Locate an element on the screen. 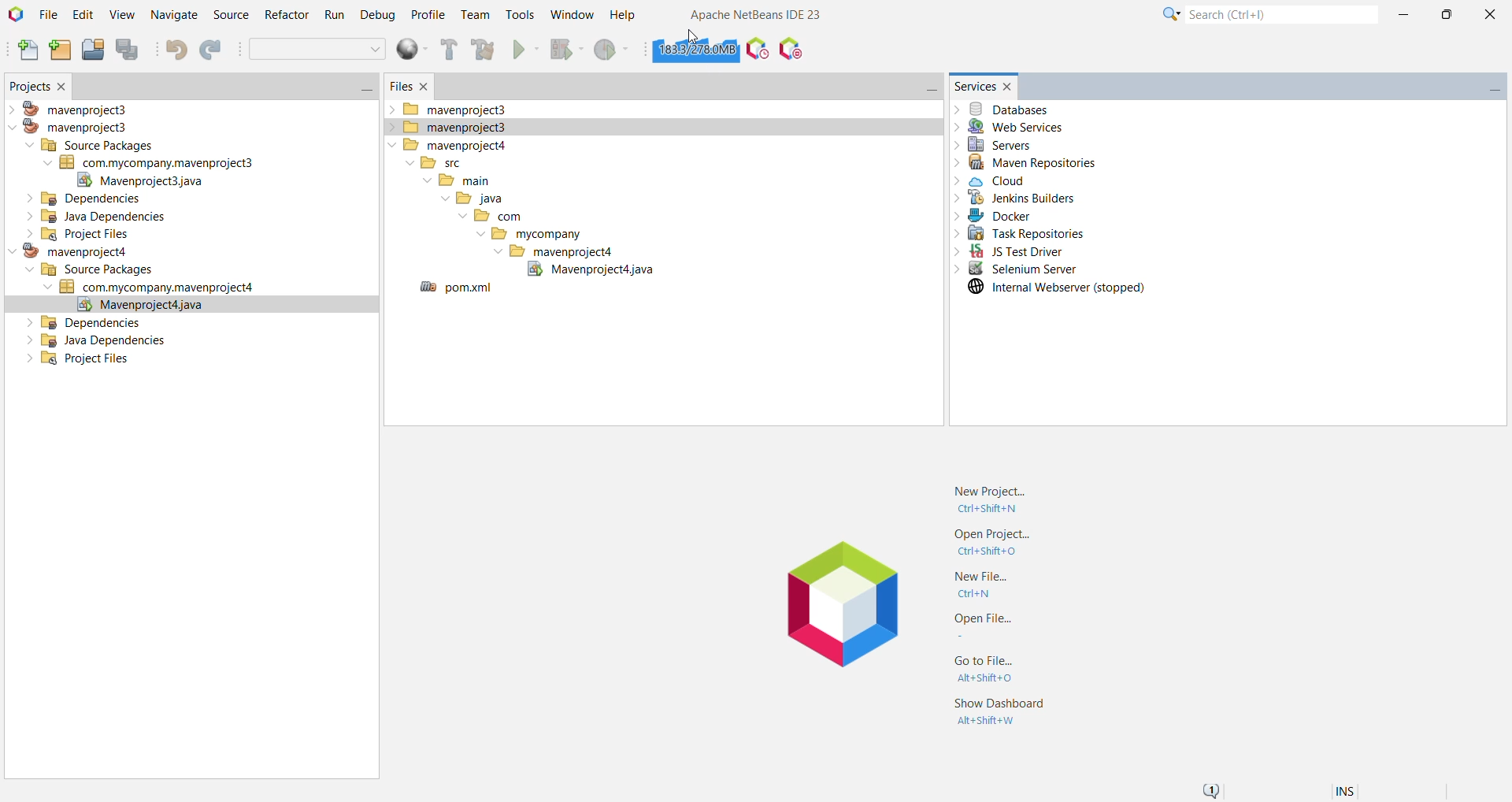 Image resolution: width=1512 pixels, height=802 pixels. Open Project is located at coordinates (91, 50).